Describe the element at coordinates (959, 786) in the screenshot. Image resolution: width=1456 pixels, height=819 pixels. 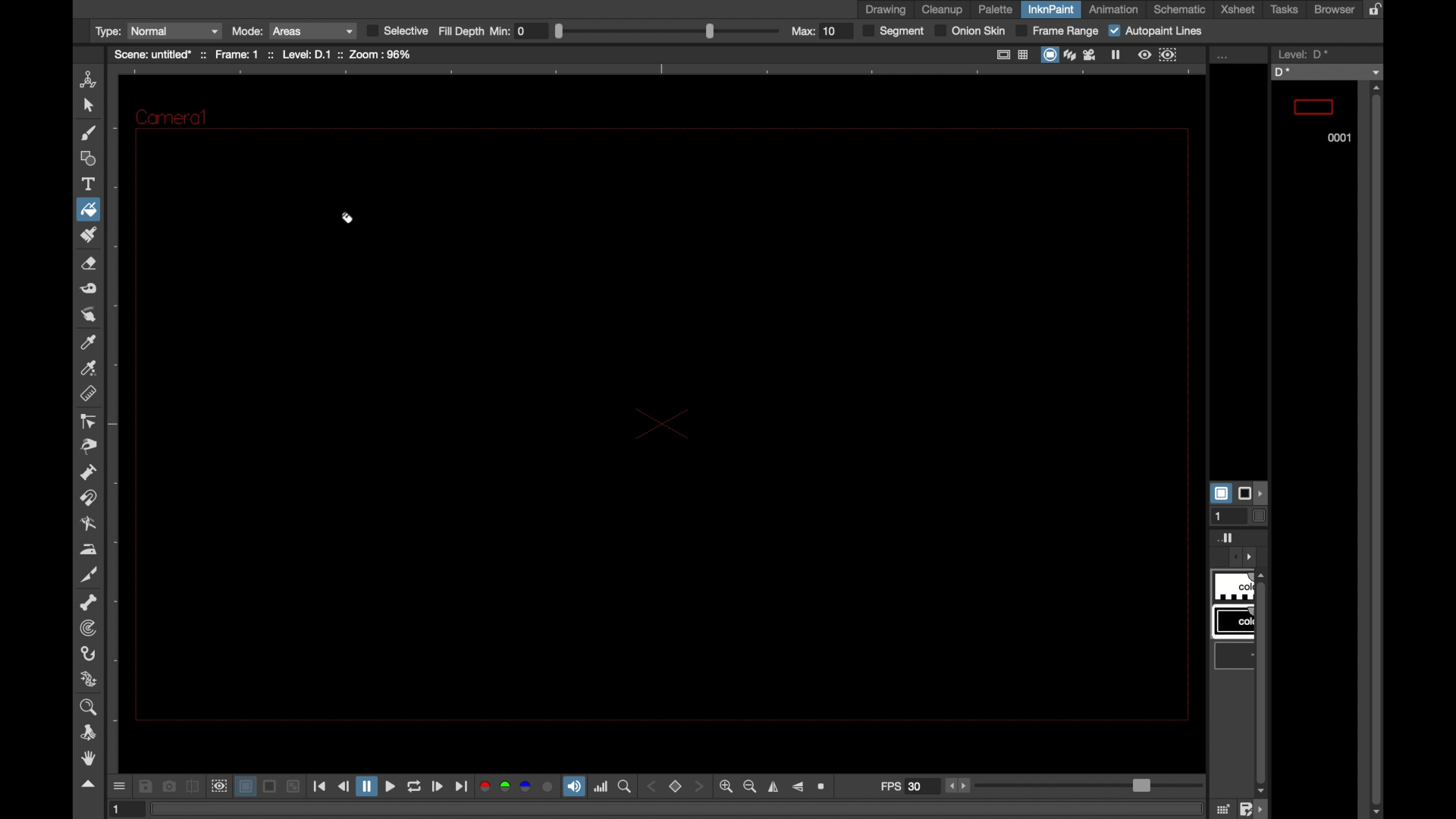
I see `stepper buttons` at that location.